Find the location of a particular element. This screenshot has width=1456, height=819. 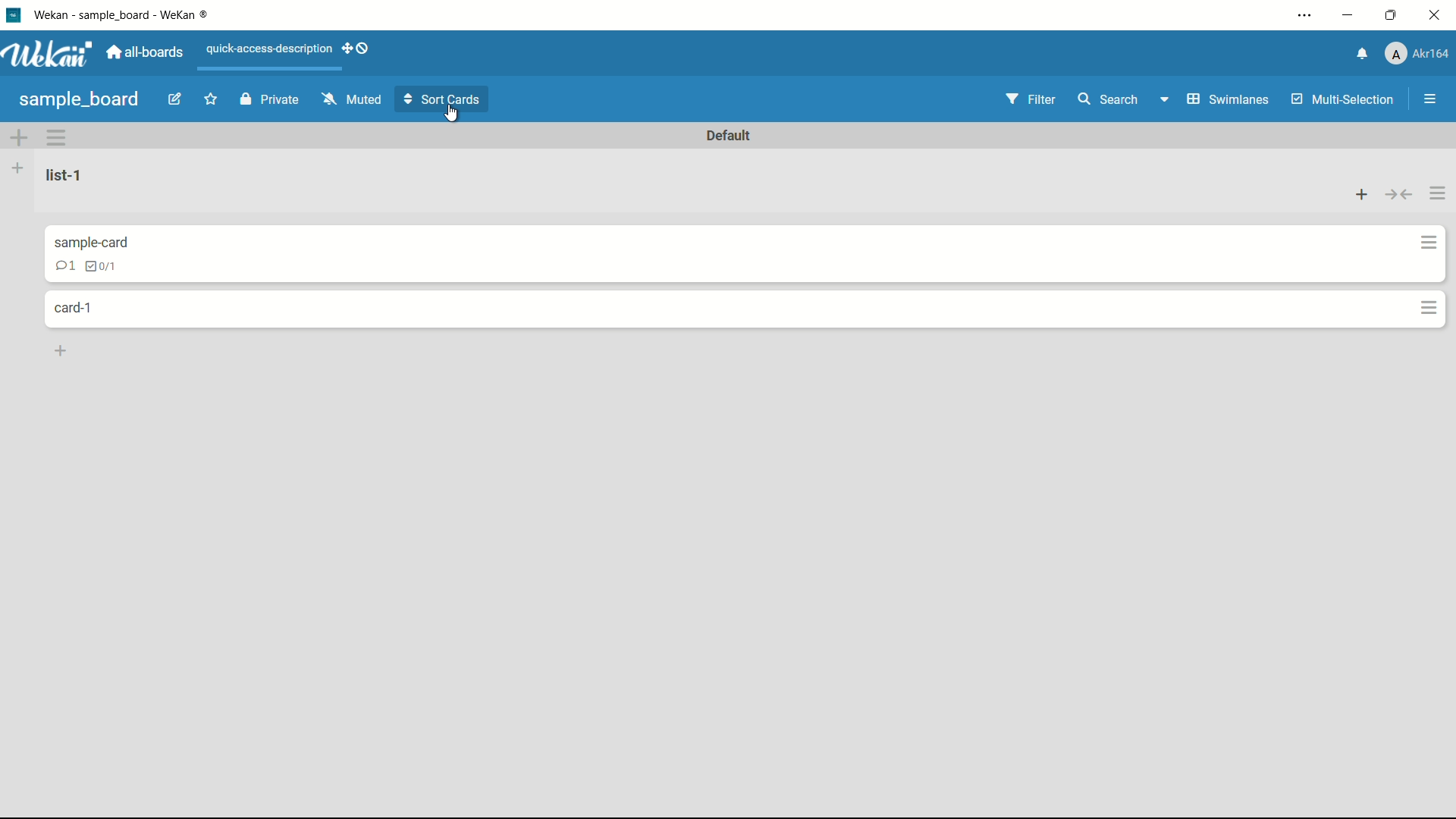

add swimlane is located at coordinates (19, 136).